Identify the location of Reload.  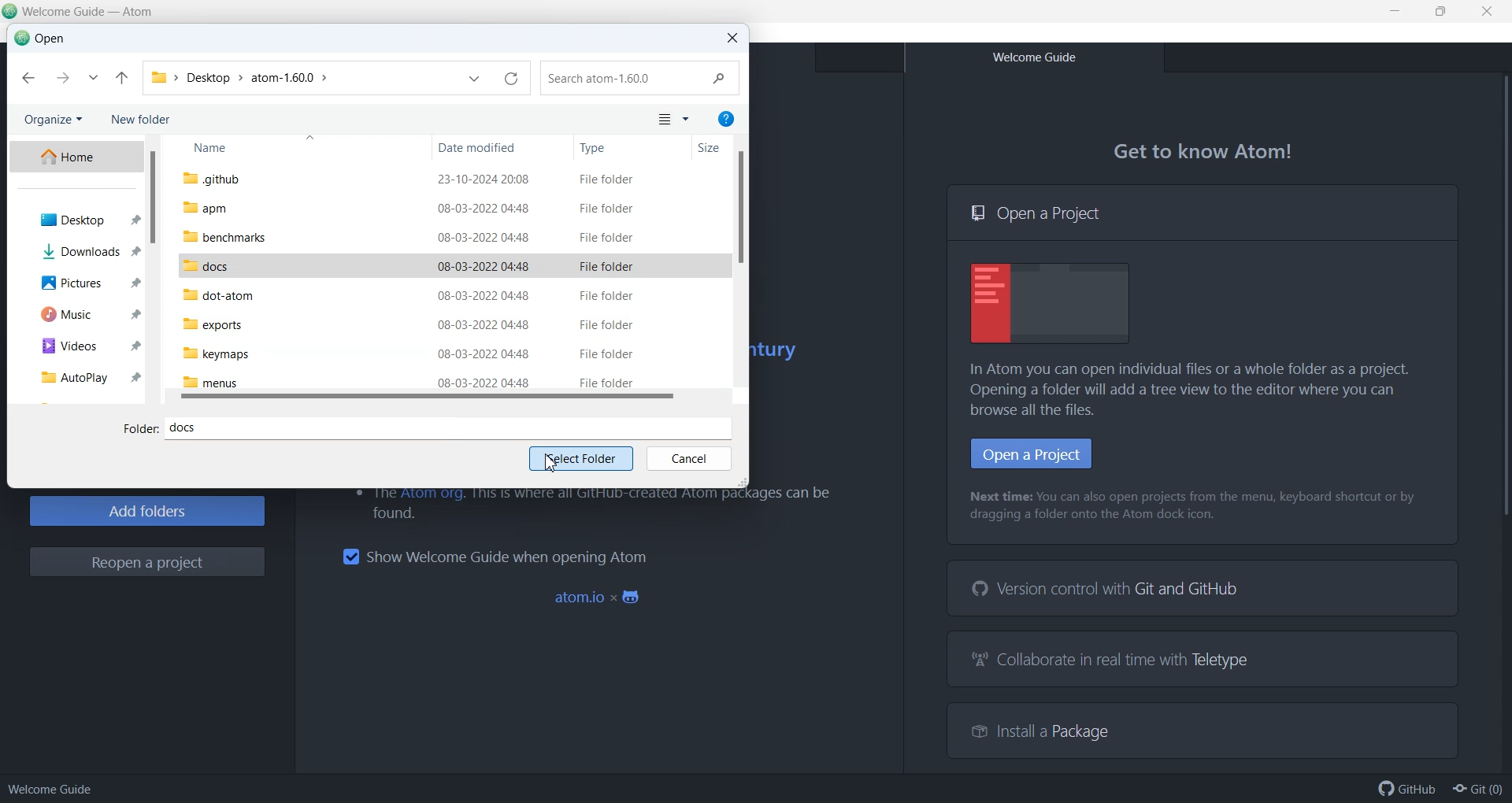
(510, 80).